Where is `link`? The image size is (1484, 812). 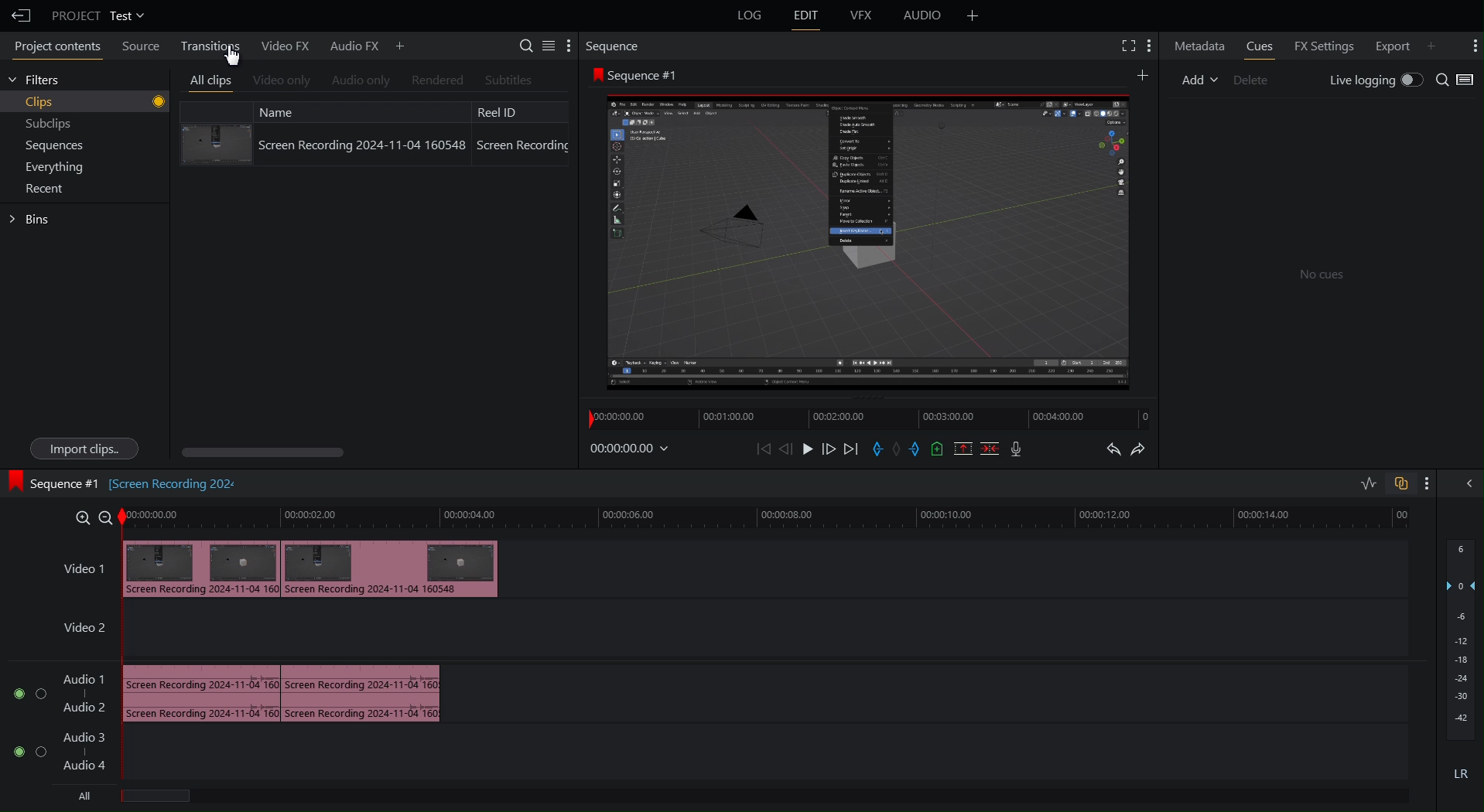
link is located at coordinates (1398, 482).